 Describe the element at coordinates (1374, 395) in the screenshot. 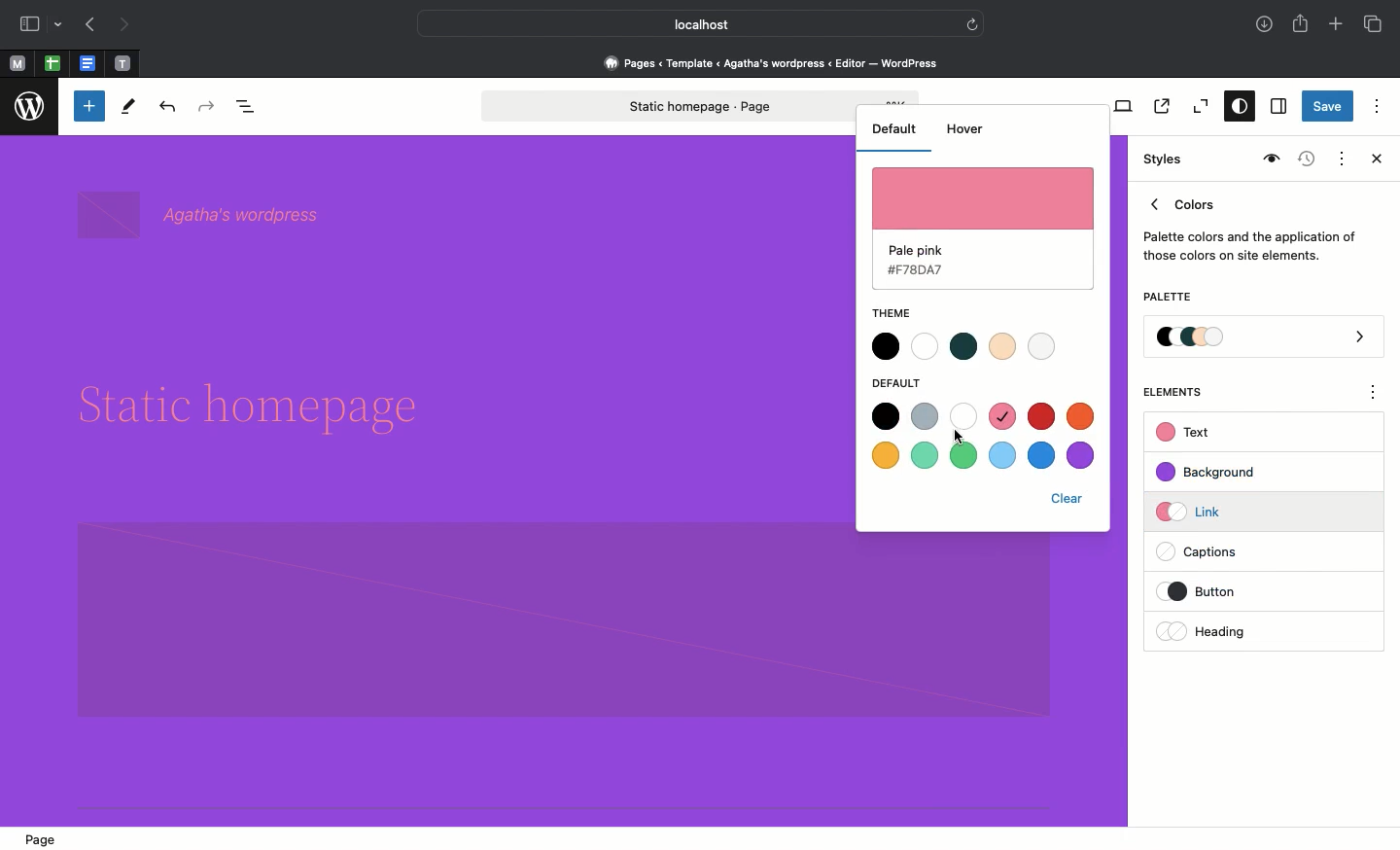

I see `options` at that location.